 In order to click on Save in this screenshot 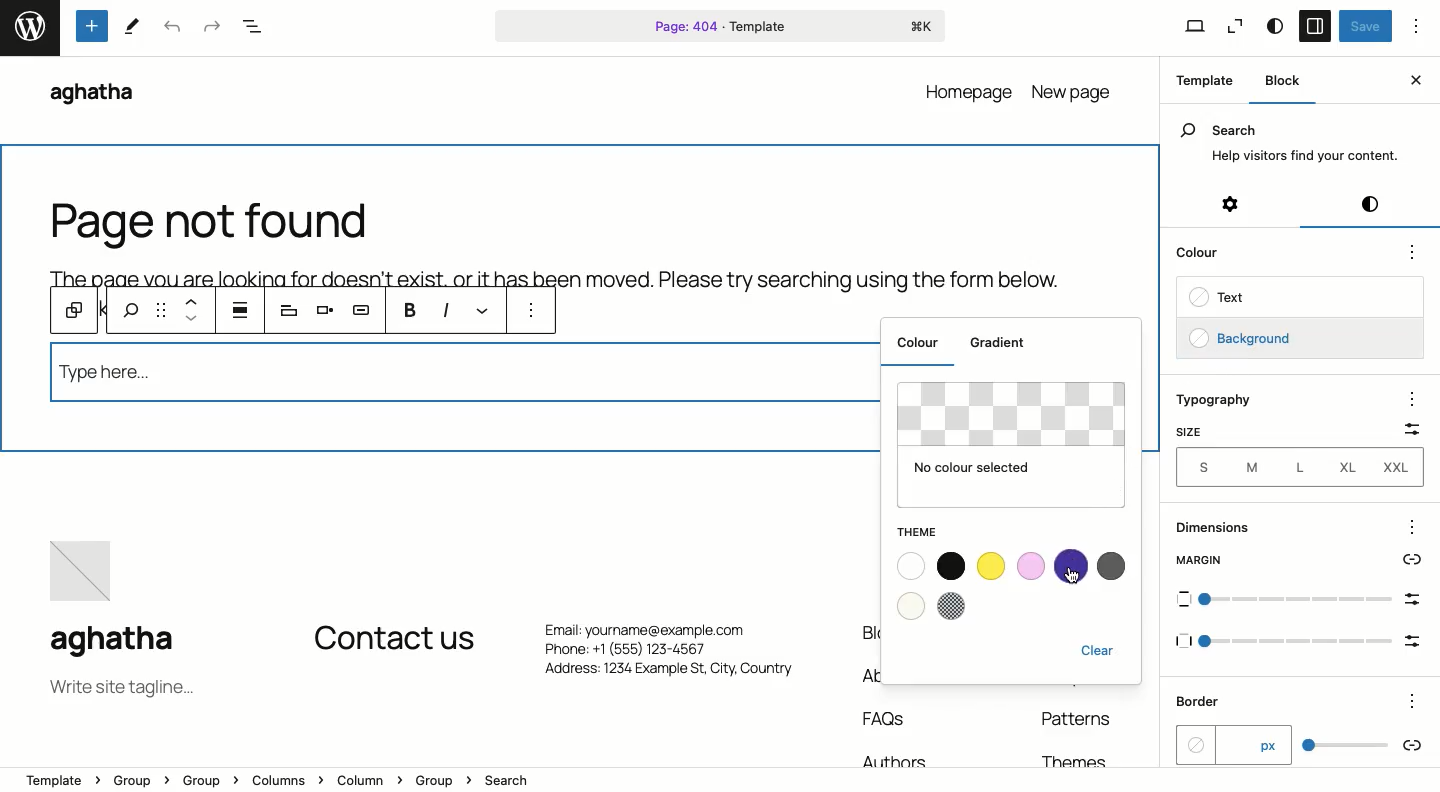, I will do `click(1366, 26)`.